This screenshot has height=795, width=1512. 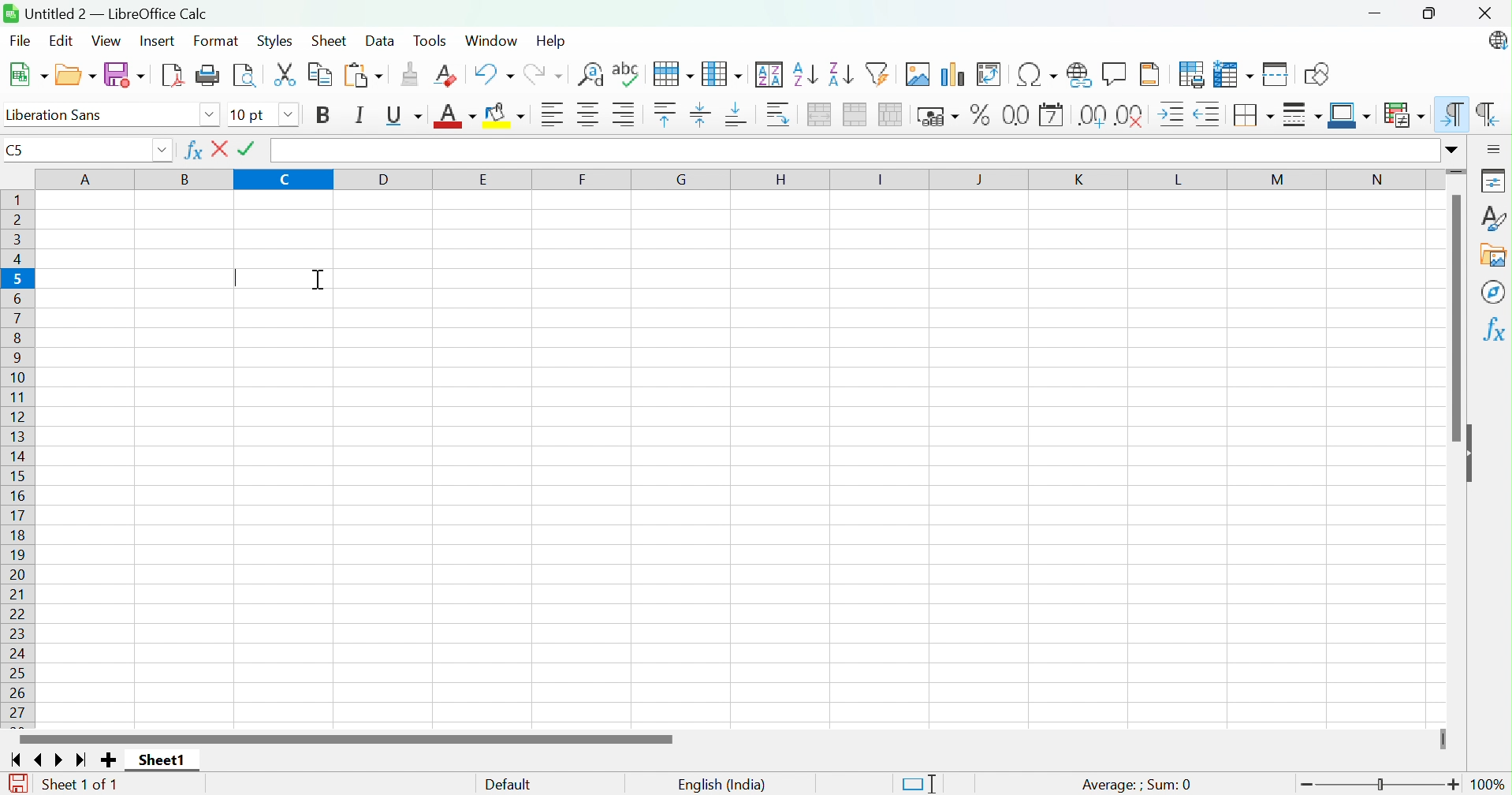 I want to click on Function wizard, so click(x=192, y=151).